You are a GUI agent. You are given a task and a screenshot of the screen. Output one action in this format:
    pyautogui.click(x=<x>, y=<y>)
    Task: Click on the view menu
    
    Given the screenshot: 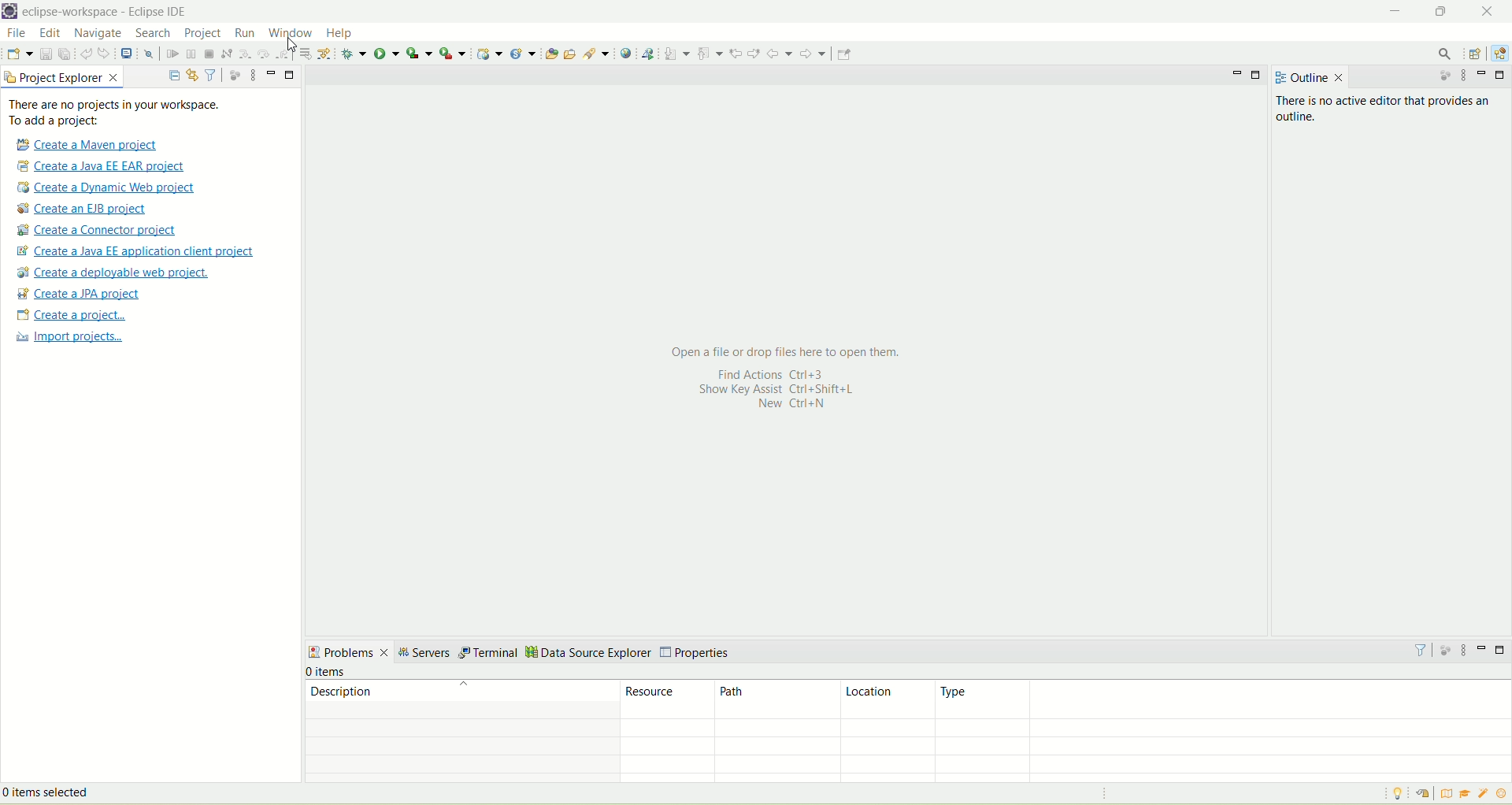 What is the action you would take?
    pyautogui.click(x=1467, y=77)
    